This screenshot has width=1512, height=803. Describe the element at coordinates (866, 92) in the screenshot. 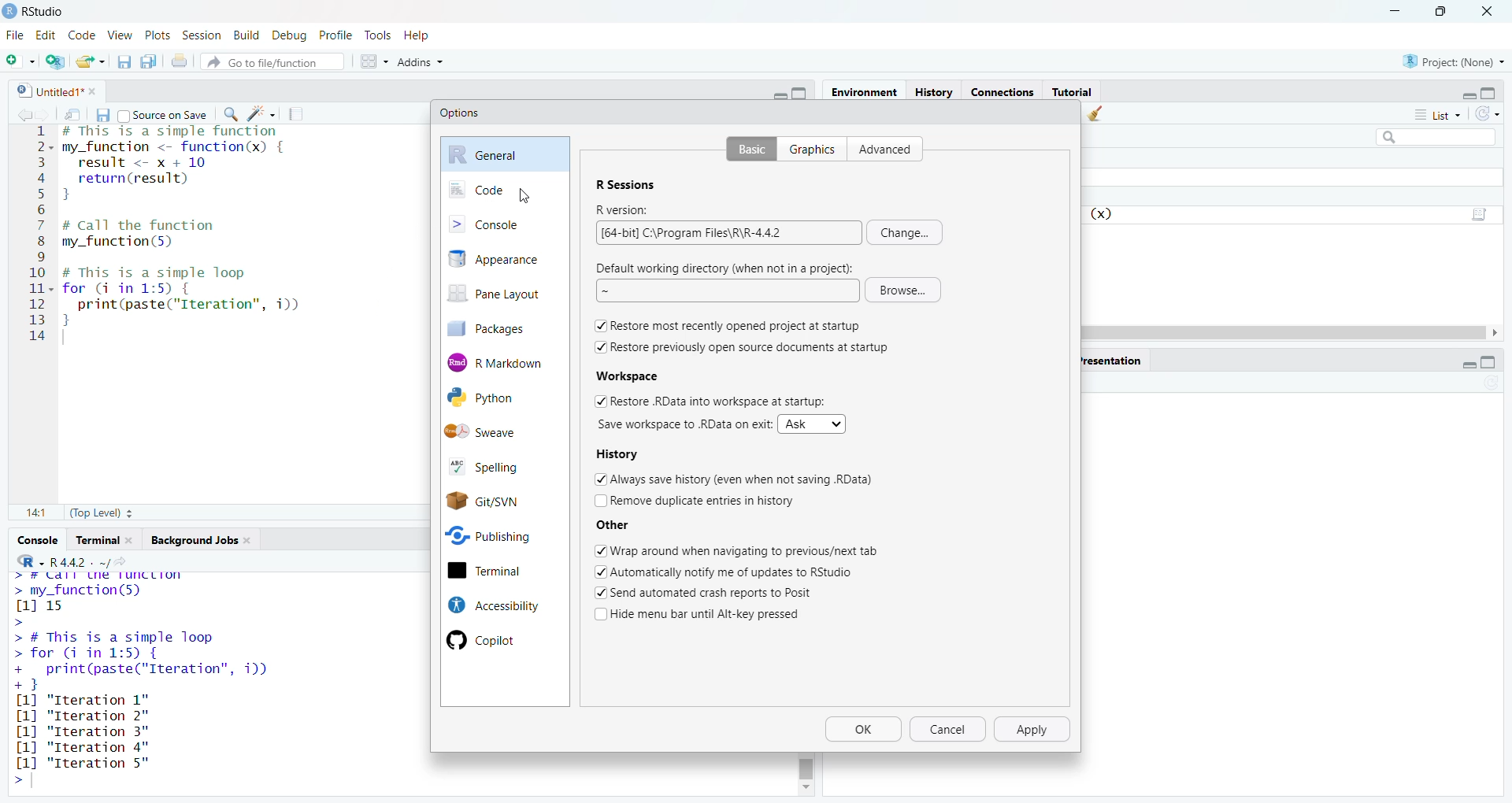

I see `environment` at that location.